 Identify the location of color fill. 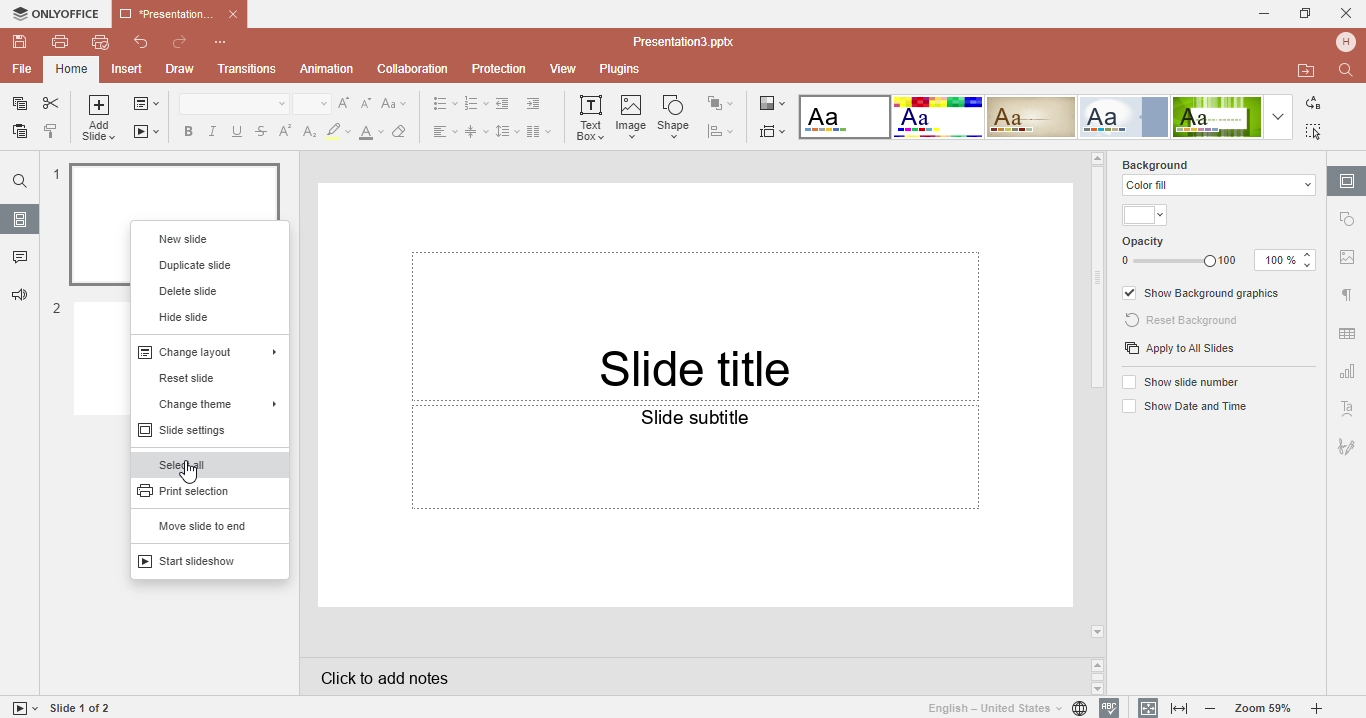
(1216, 185).